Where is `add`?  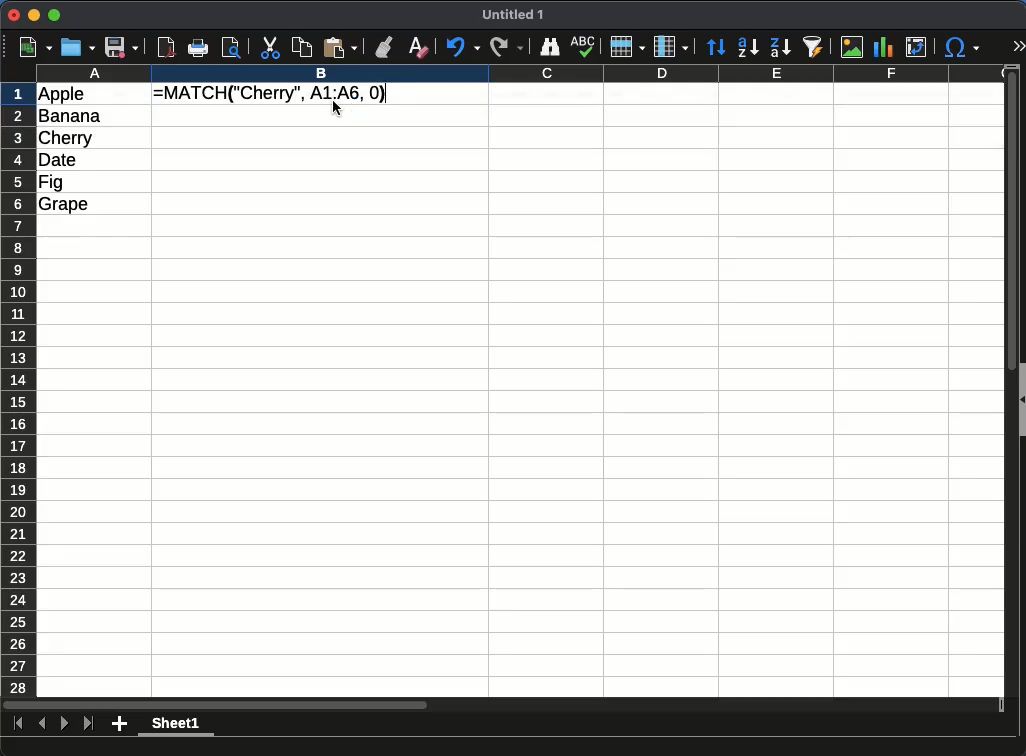 add is located at coordinates (119, 724).